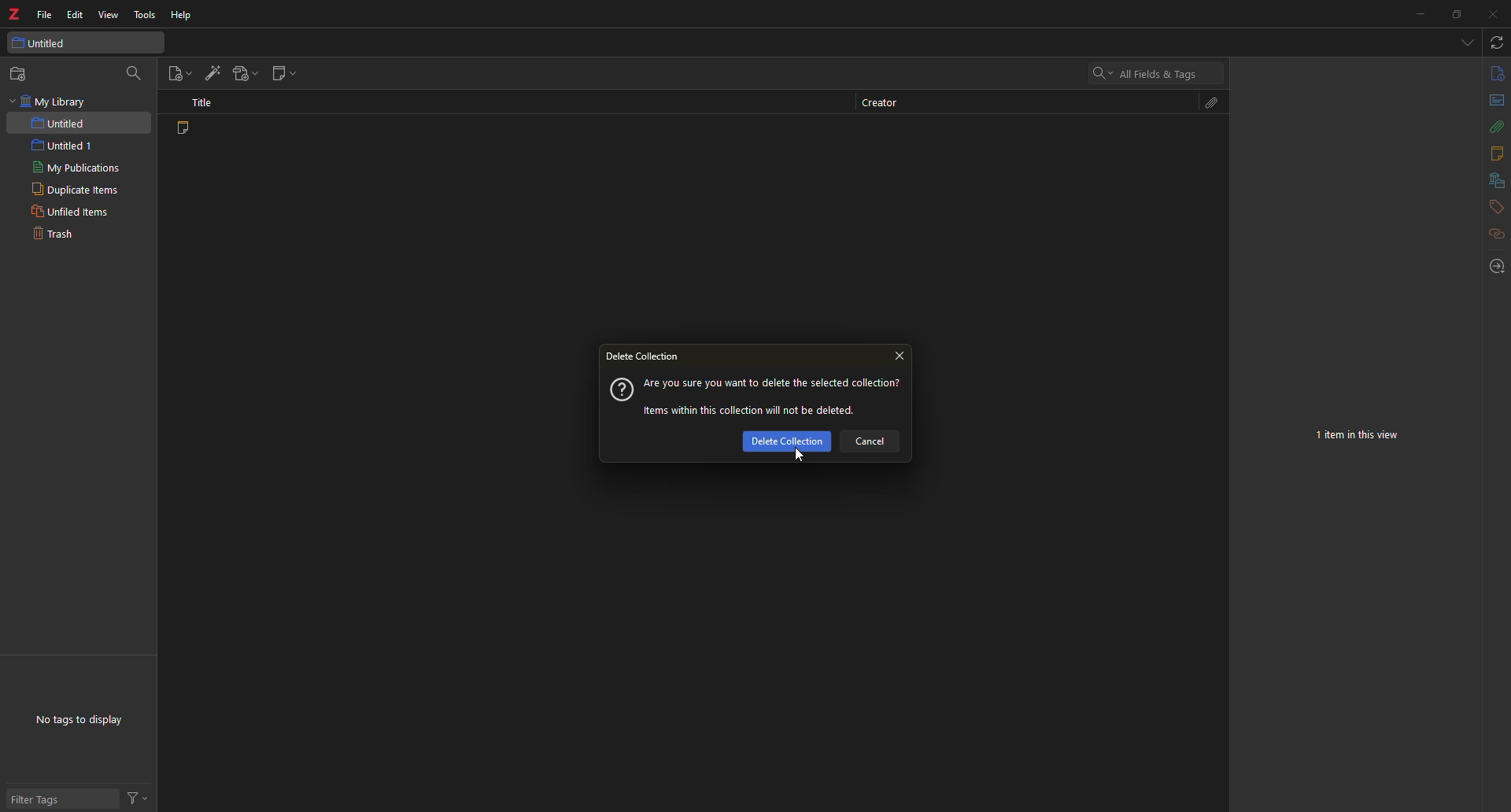  I want to click on add item, so click(212, 72).